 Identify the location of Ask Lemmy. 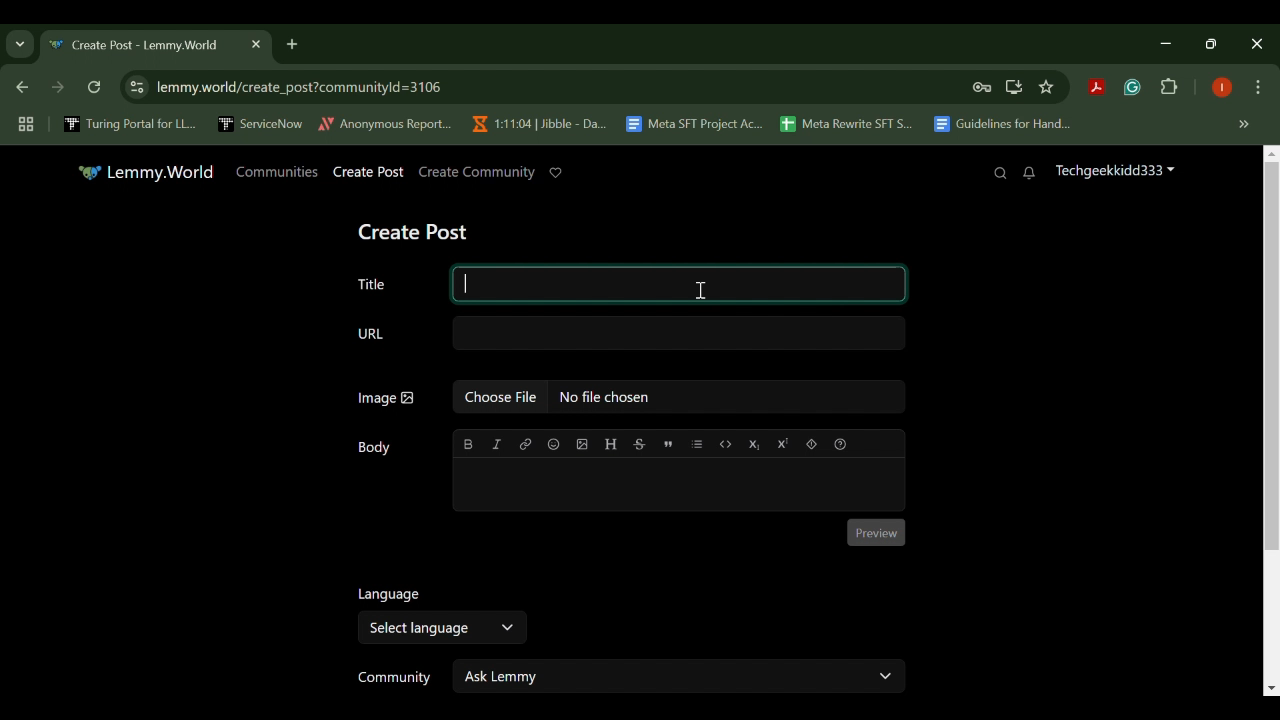
(680, 675).